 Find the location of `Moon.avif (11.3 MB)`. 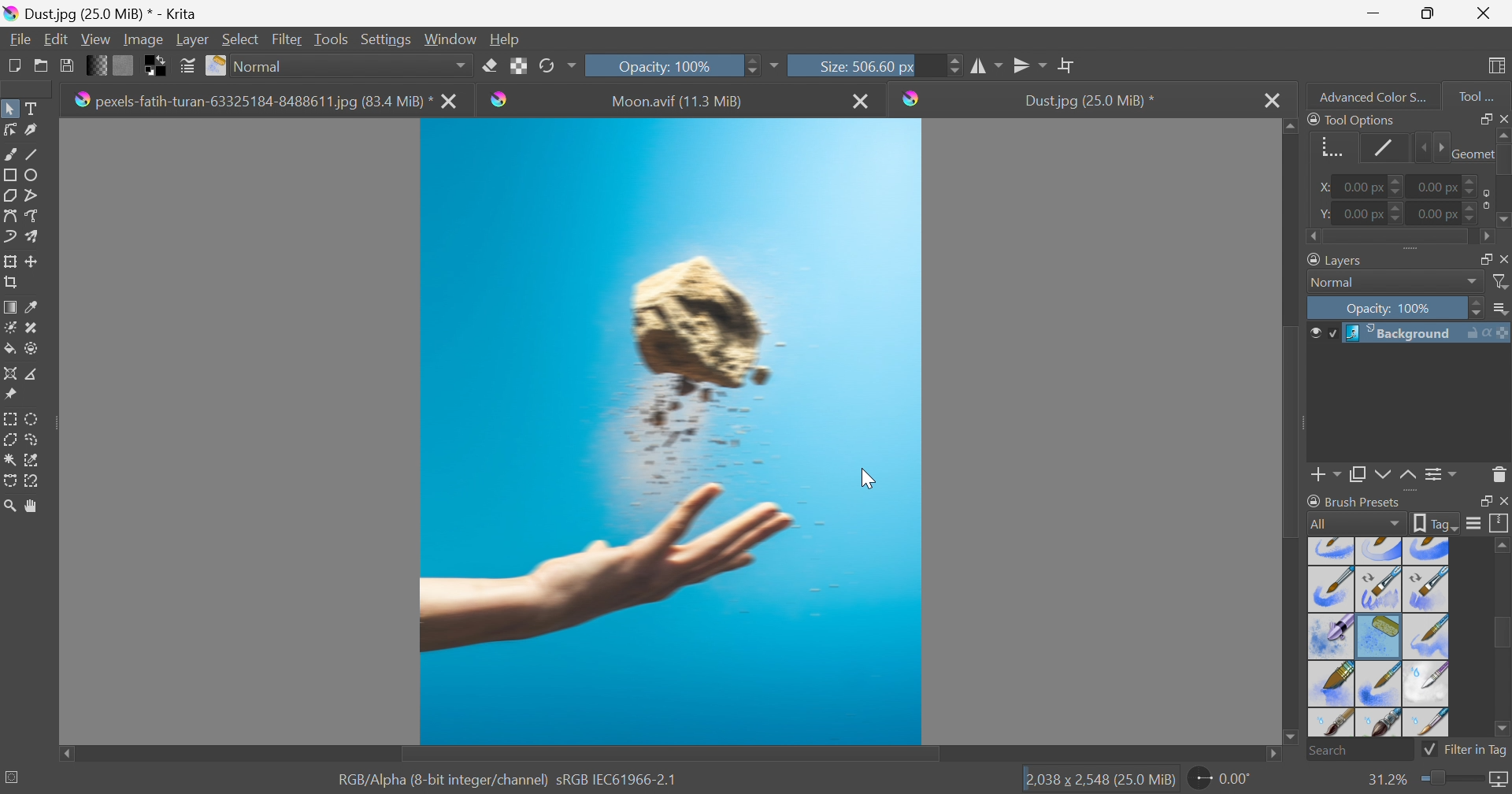

Moon.avif (11.3 MB) is located at coordinates (679, 102).